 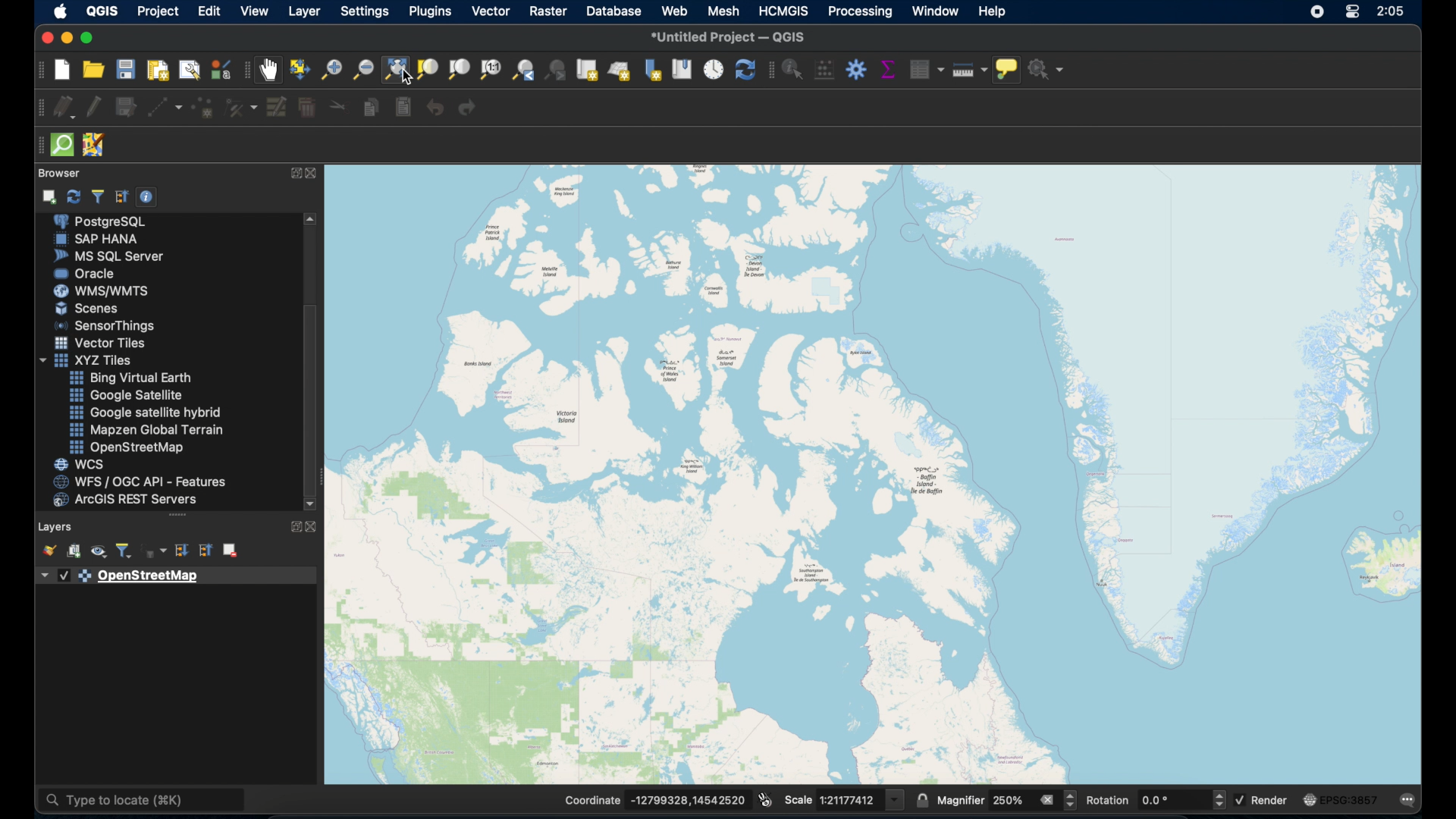 What do you see at coordinates (44, 37) in the screenshot?
I see `close` at bounding box center [44, 37].